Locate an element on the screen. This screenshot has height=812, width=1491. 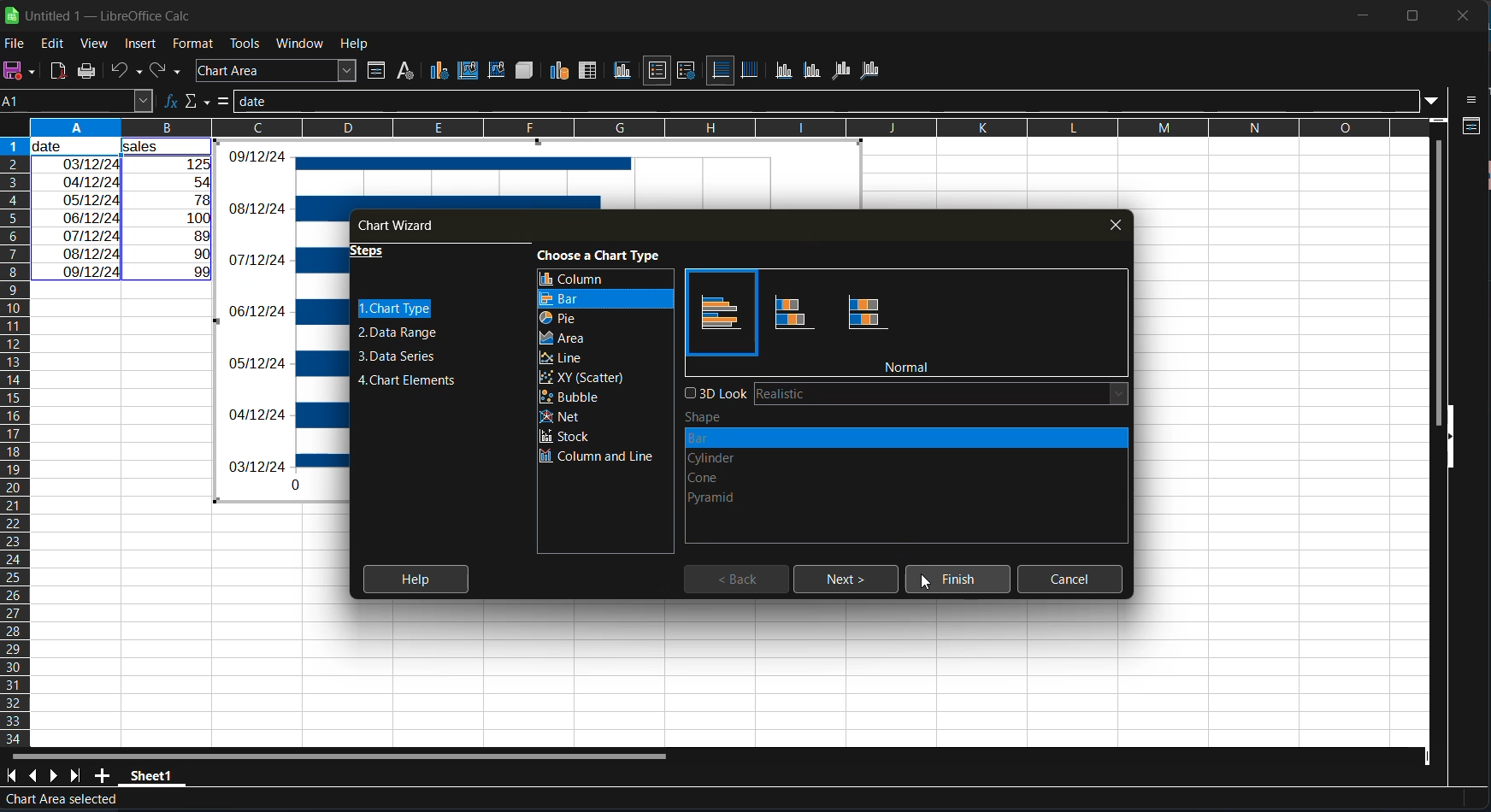
select function is located at coordinates (195, 102).